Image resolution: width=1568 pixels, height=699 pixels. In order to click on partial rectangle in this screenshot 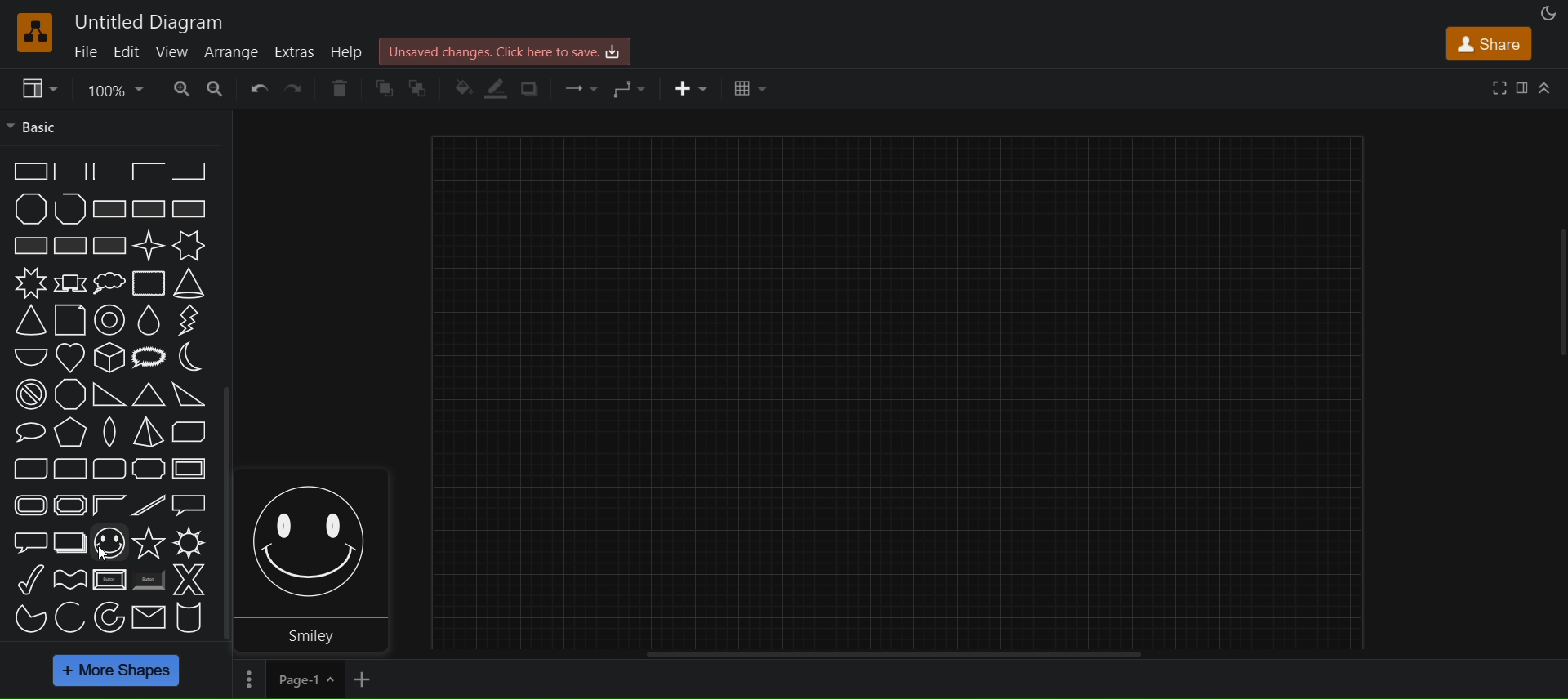, I will do `click(189, 172)`.